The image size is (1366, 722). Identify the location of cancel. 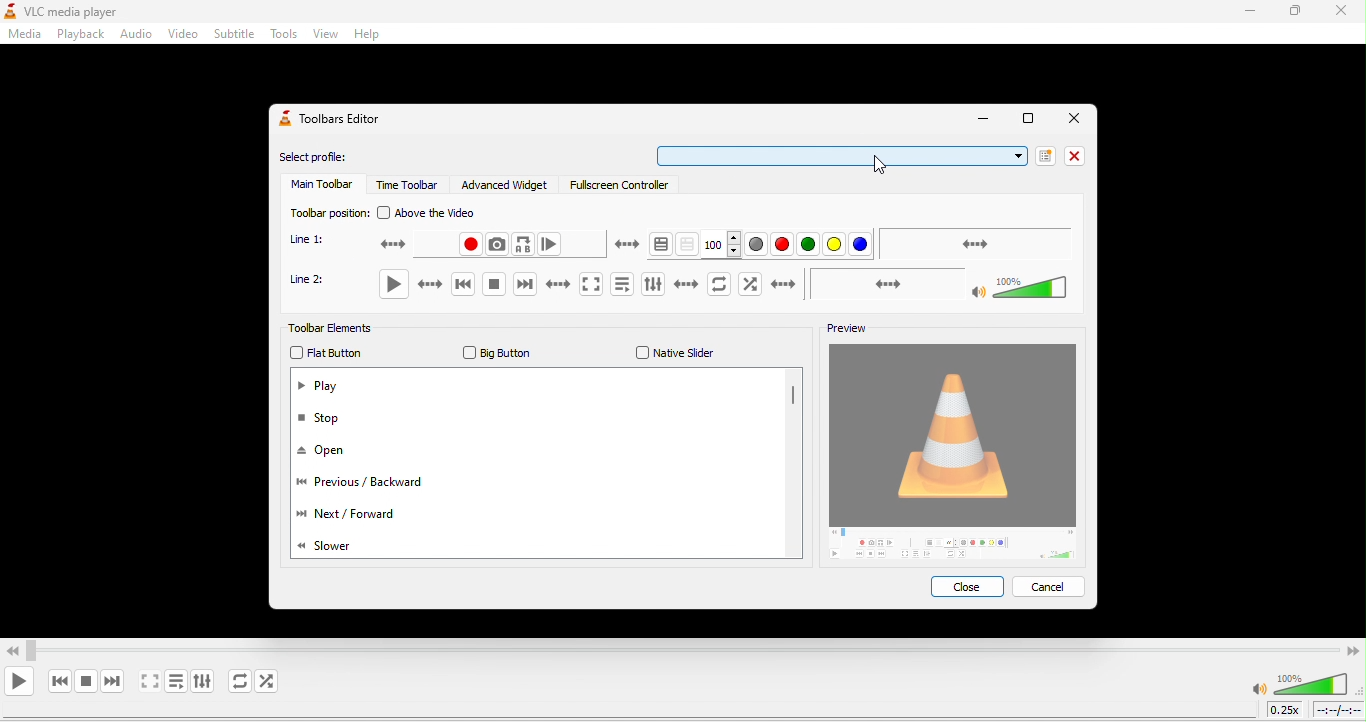
(1053, 586).